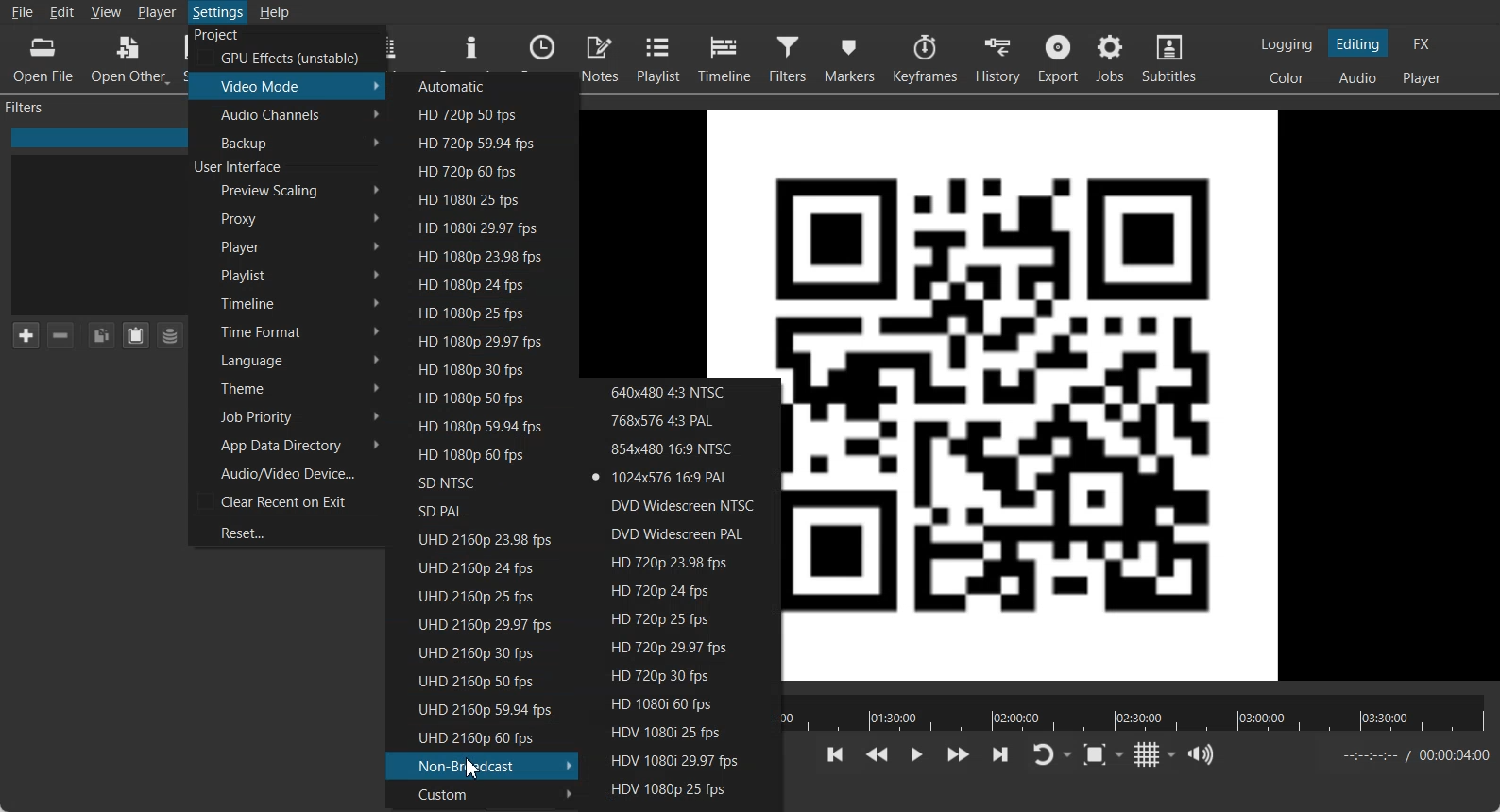 Image resolution: width=1500 pixels, height=812 pixels. I want to click on Keyframes, so click(924, 59).